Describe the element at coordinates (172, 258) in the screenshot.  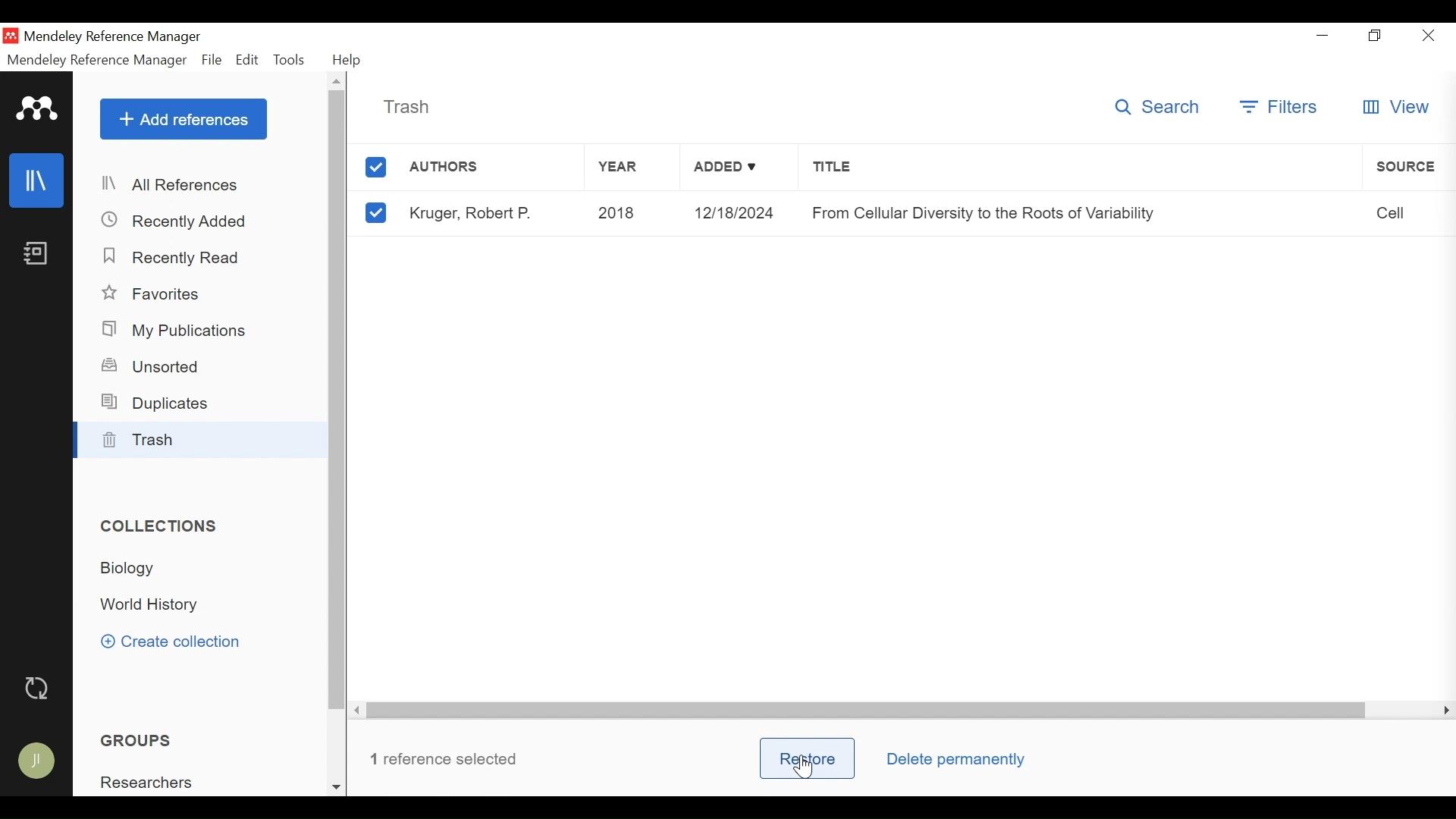
I see `Recently Read` at that location.